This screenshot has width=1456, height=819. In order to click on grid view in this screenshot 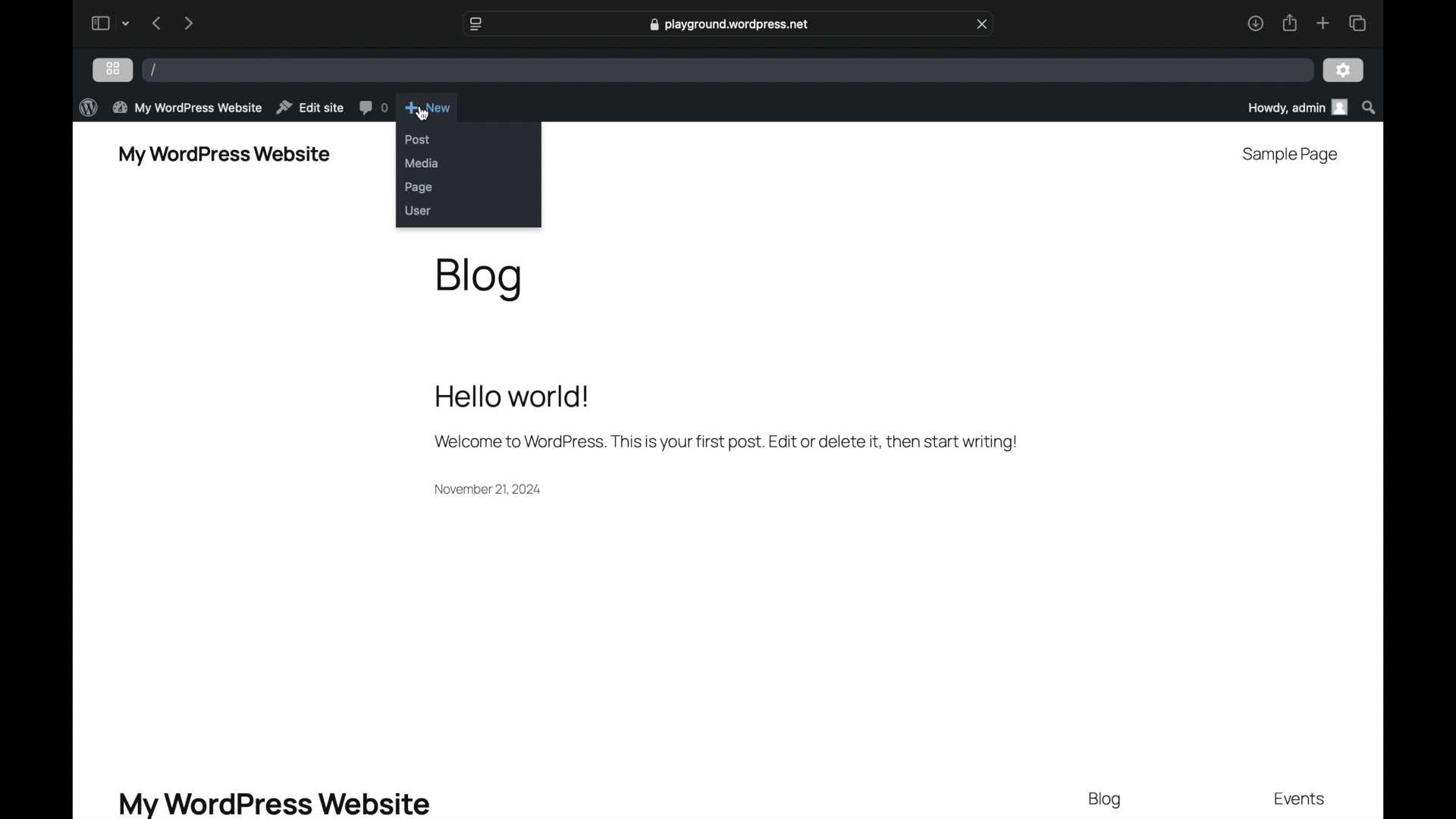, I will do `click(113, 69)`.